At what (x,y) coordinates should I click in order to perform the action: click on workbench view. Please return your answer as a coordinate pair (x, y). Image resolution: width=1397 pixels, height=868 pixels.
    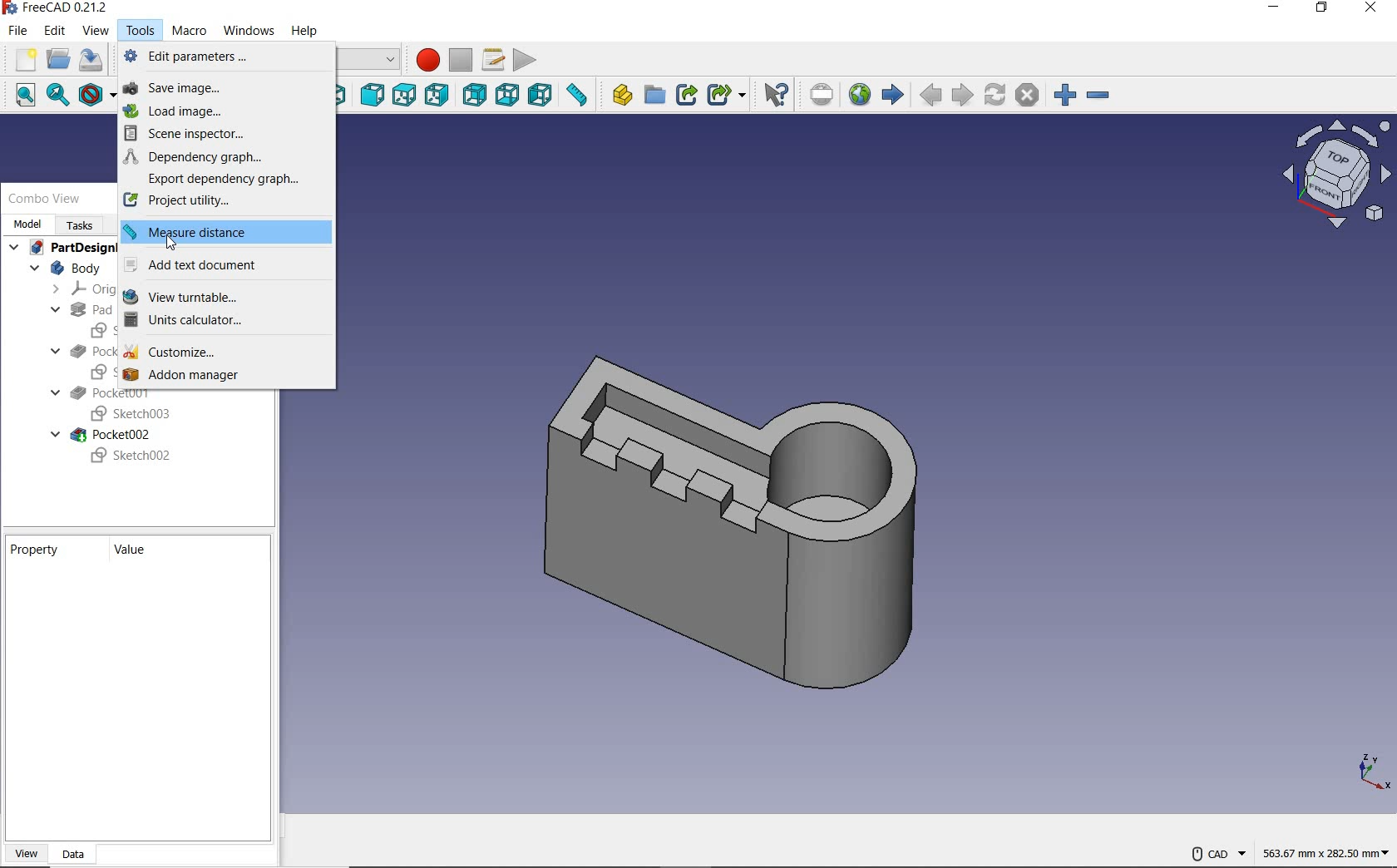
    Looking at the image, I should click on (1335, 174).